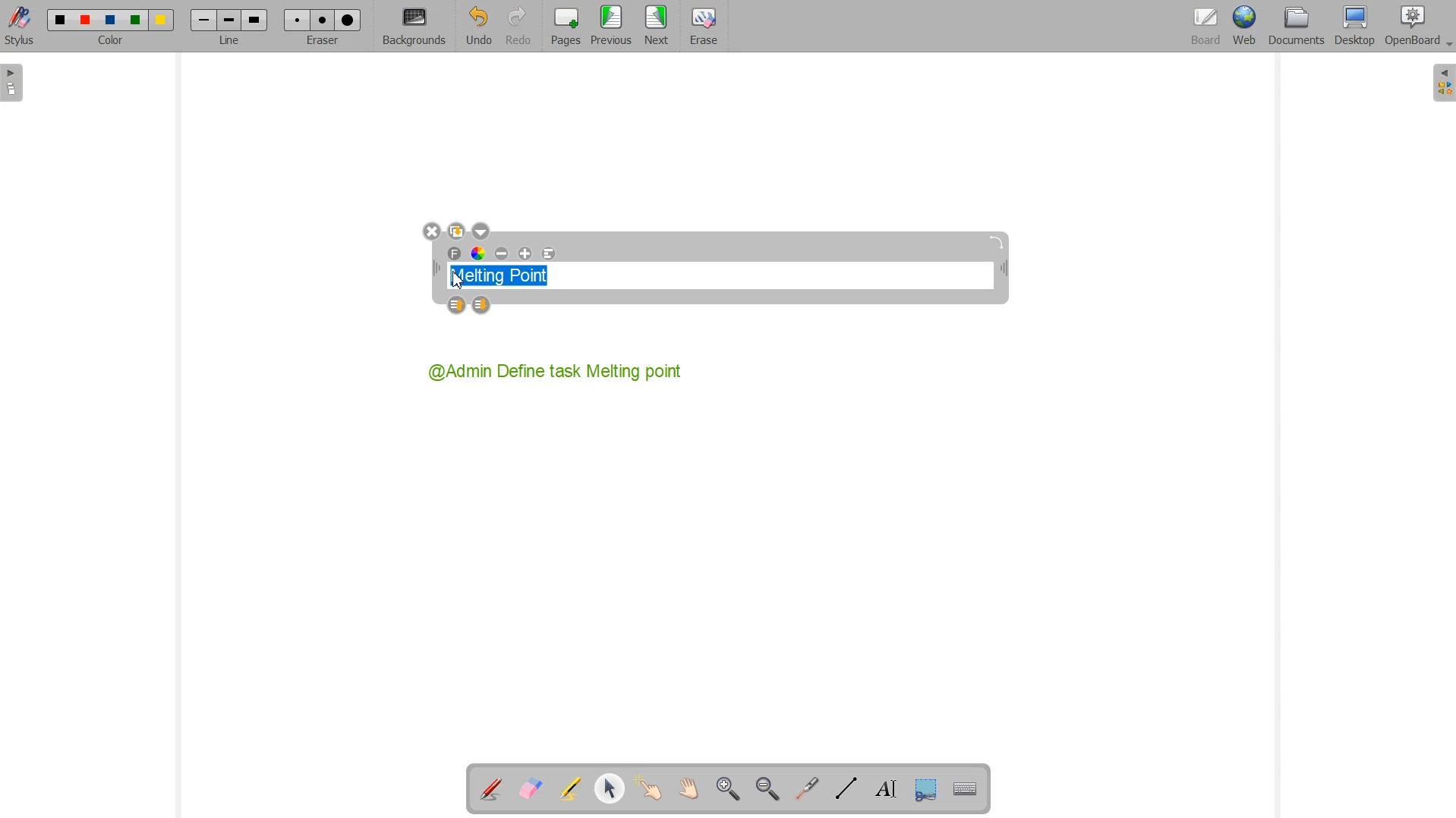 The image size is (1456, 818). I want to click on Layer down, so click(482, 306).